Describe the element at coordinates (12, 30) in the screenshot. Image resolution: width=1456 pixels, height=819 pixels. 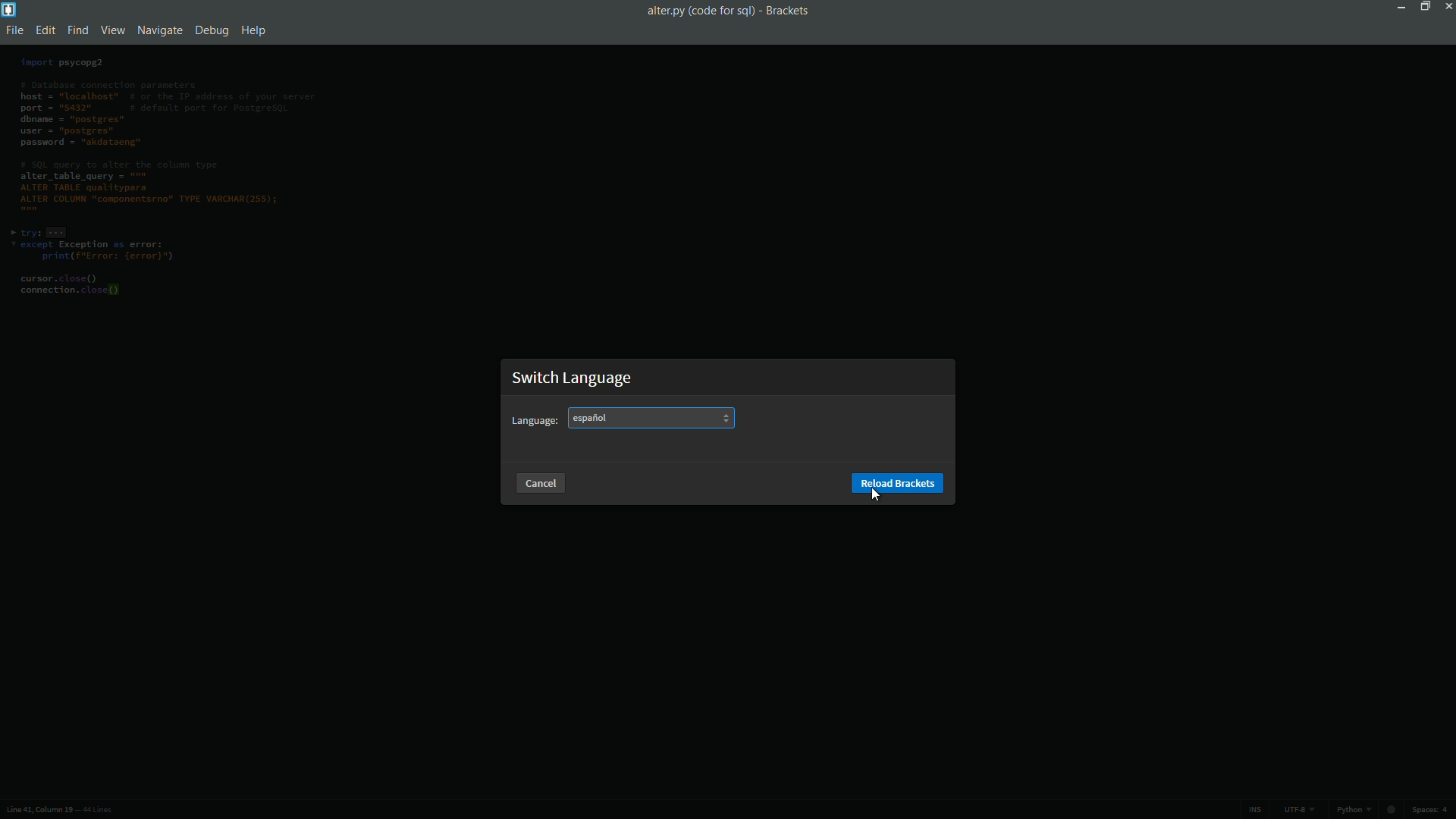
I see `file menu` at that location.